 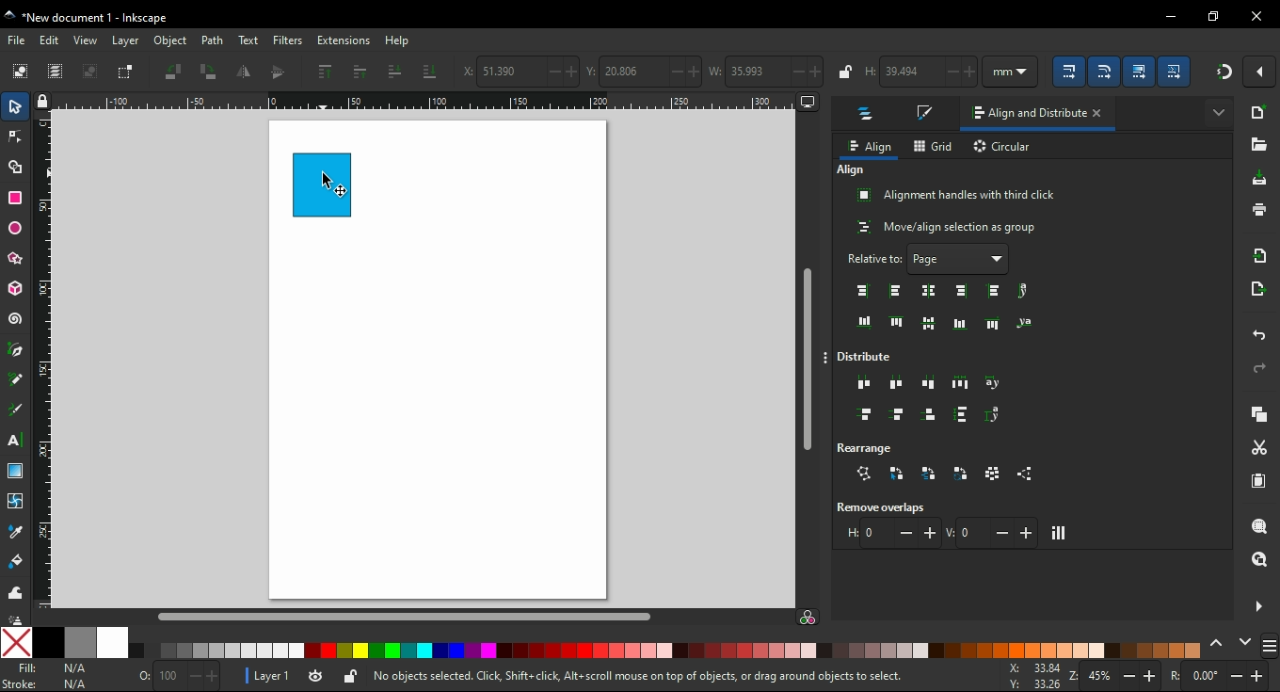 I want to click on calligraphy tool, so click(x=19, y=410).